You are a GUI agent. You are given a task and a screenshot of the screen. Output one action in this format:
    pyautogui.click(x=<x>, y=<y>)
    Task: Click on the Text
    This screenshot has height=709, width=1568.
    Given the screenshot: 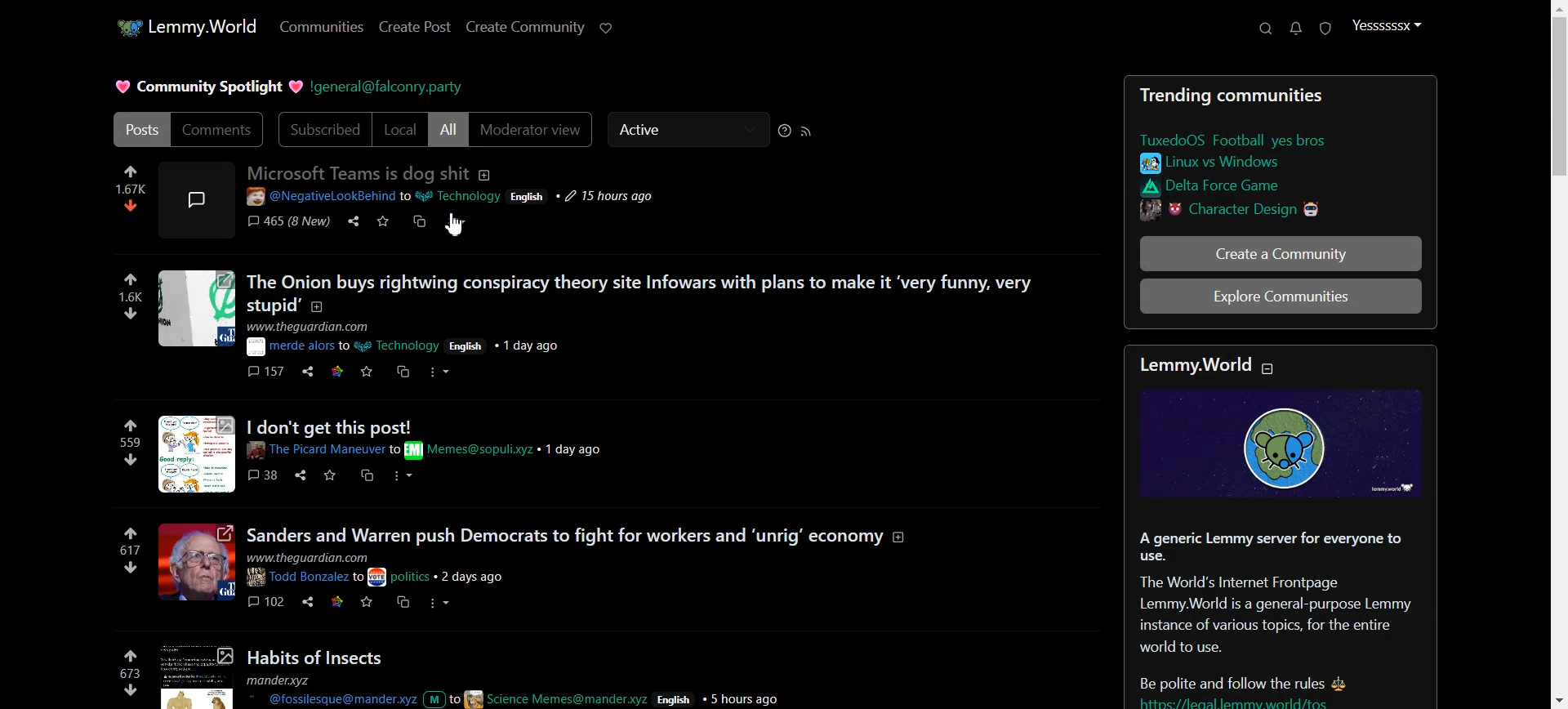 What is the action you would take?
    pyautogui.click(x=1279, y=94)
    